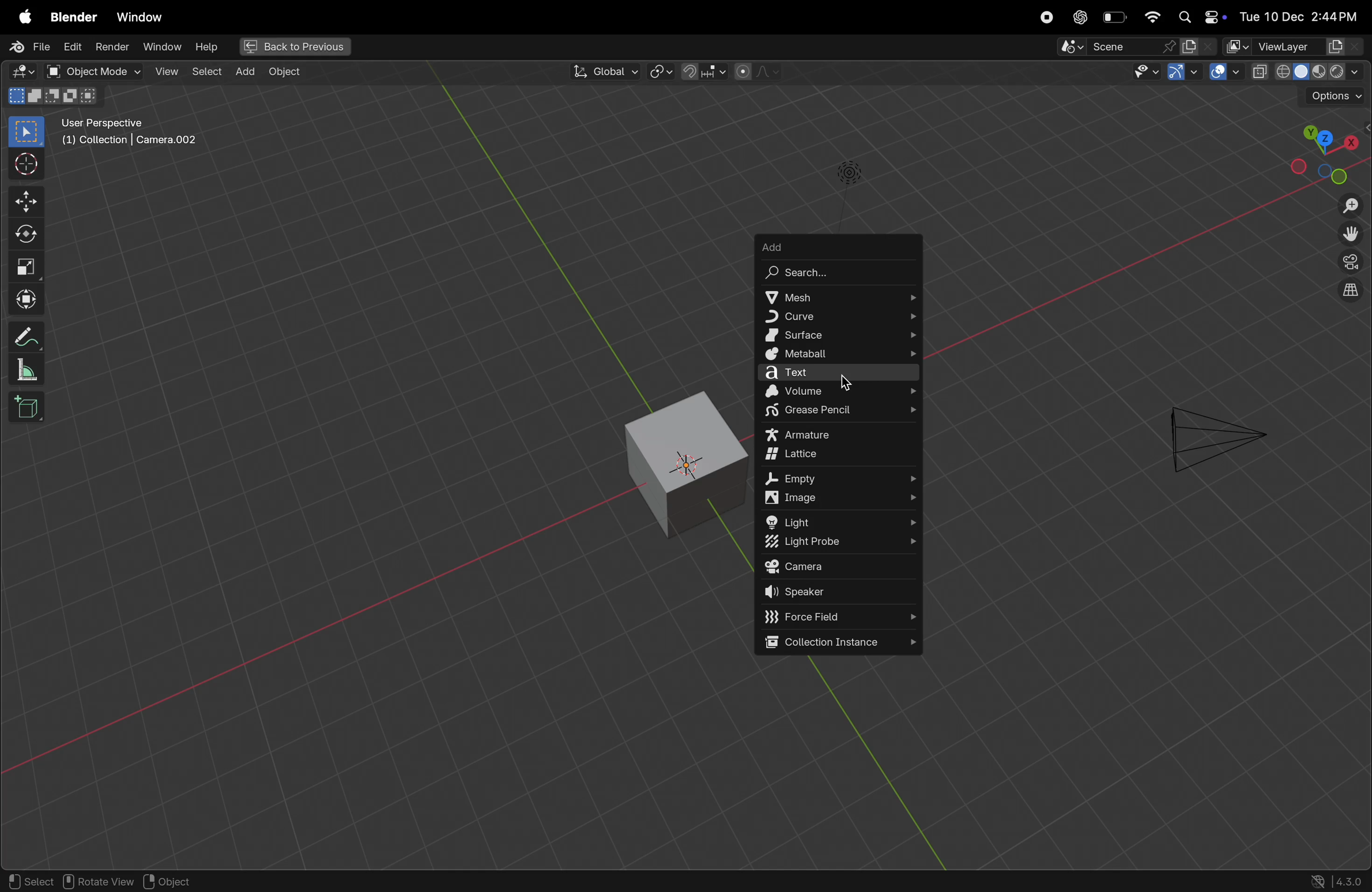  What do you see at coordinates (1349, 266) in the screenshot?
I see `camera view` at bounding box center [1349, 266].